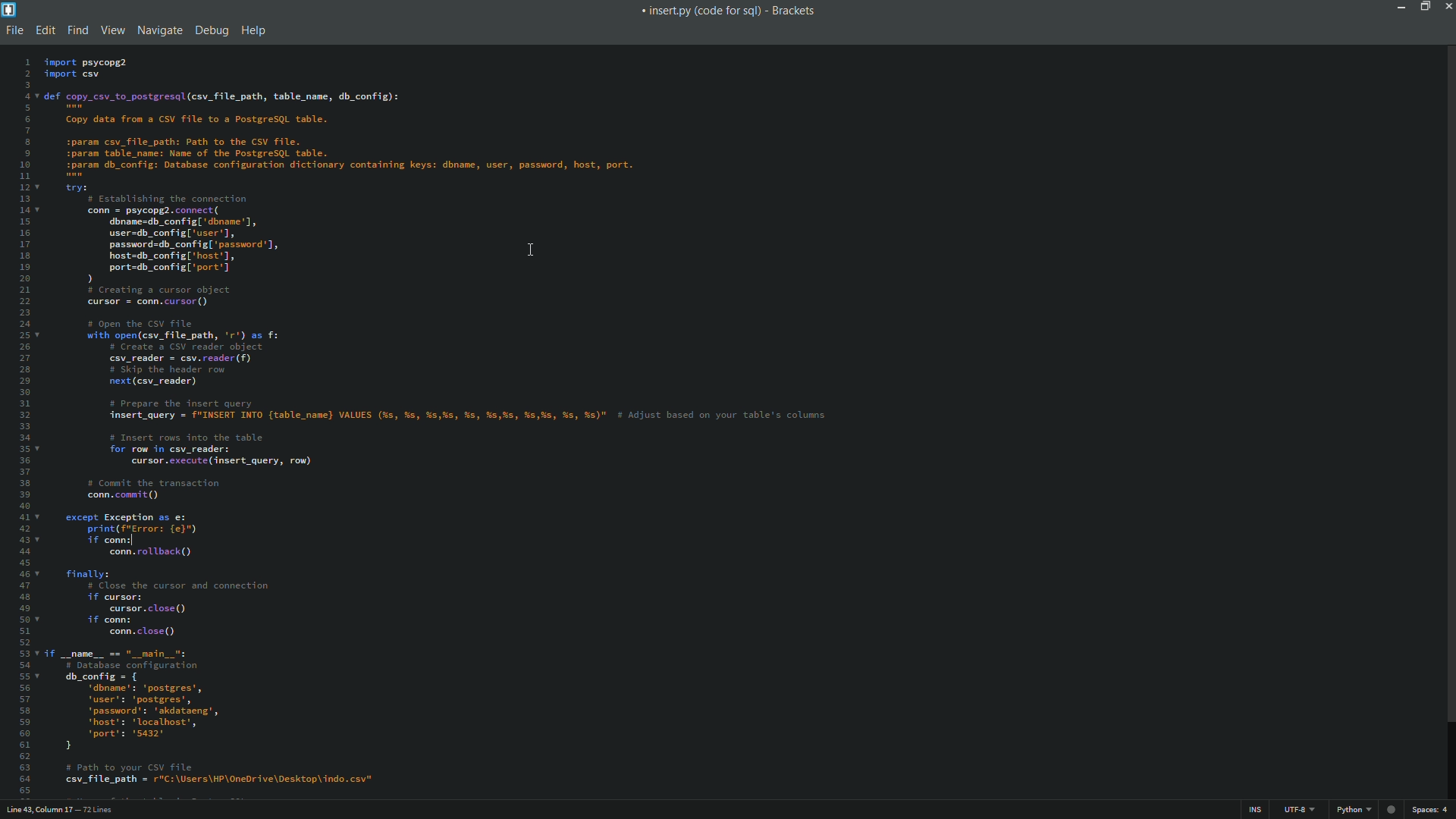  Describe the element at coordinates (1400, 6) in the screenshot. I see `minimize` at that location.